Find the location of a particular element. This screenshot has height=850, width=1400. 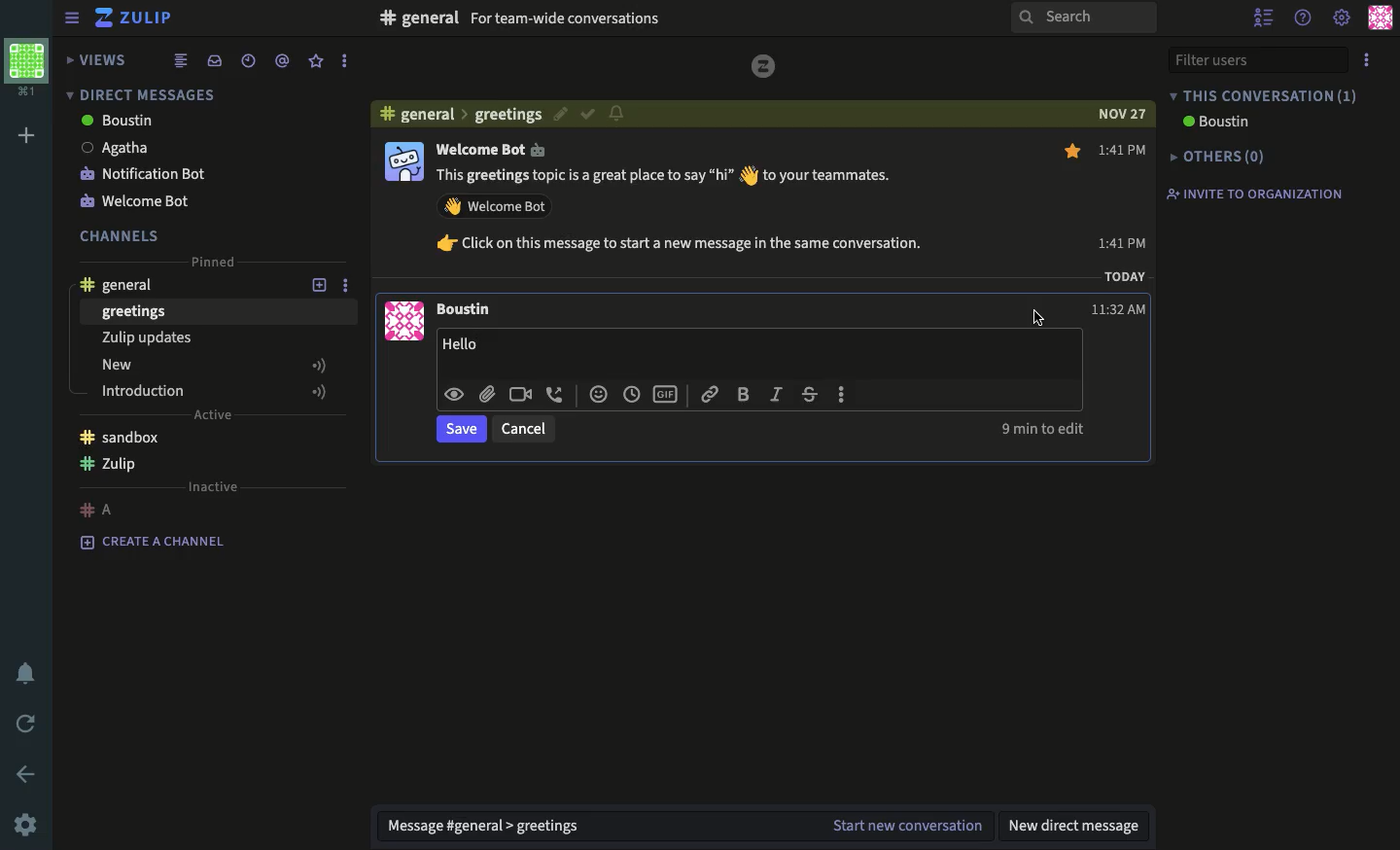

video call is located at coordinates (520, 394).